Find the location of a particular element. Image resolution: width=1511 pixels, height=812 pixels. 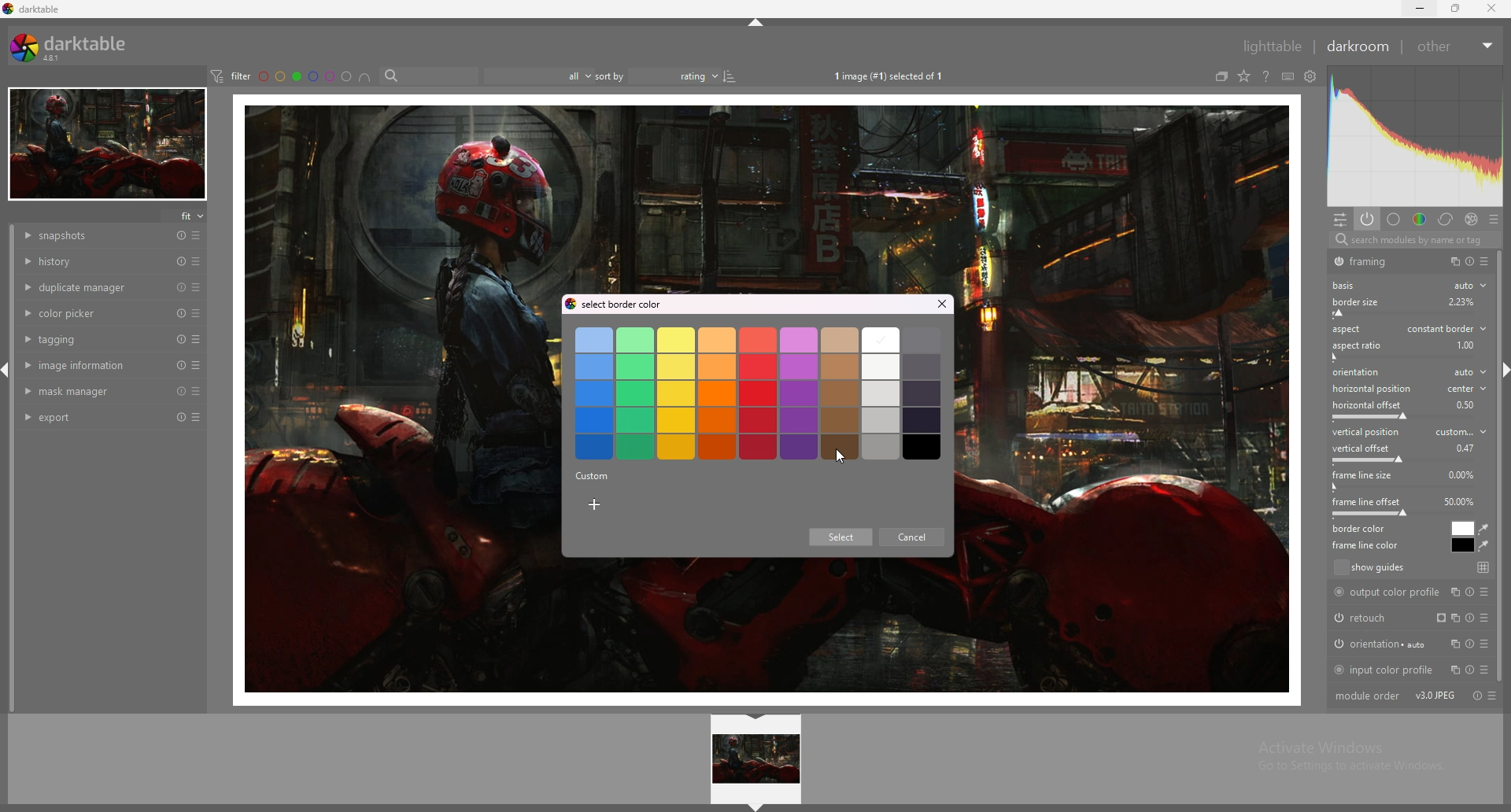

show guides is located at coordinates (1410, 568).